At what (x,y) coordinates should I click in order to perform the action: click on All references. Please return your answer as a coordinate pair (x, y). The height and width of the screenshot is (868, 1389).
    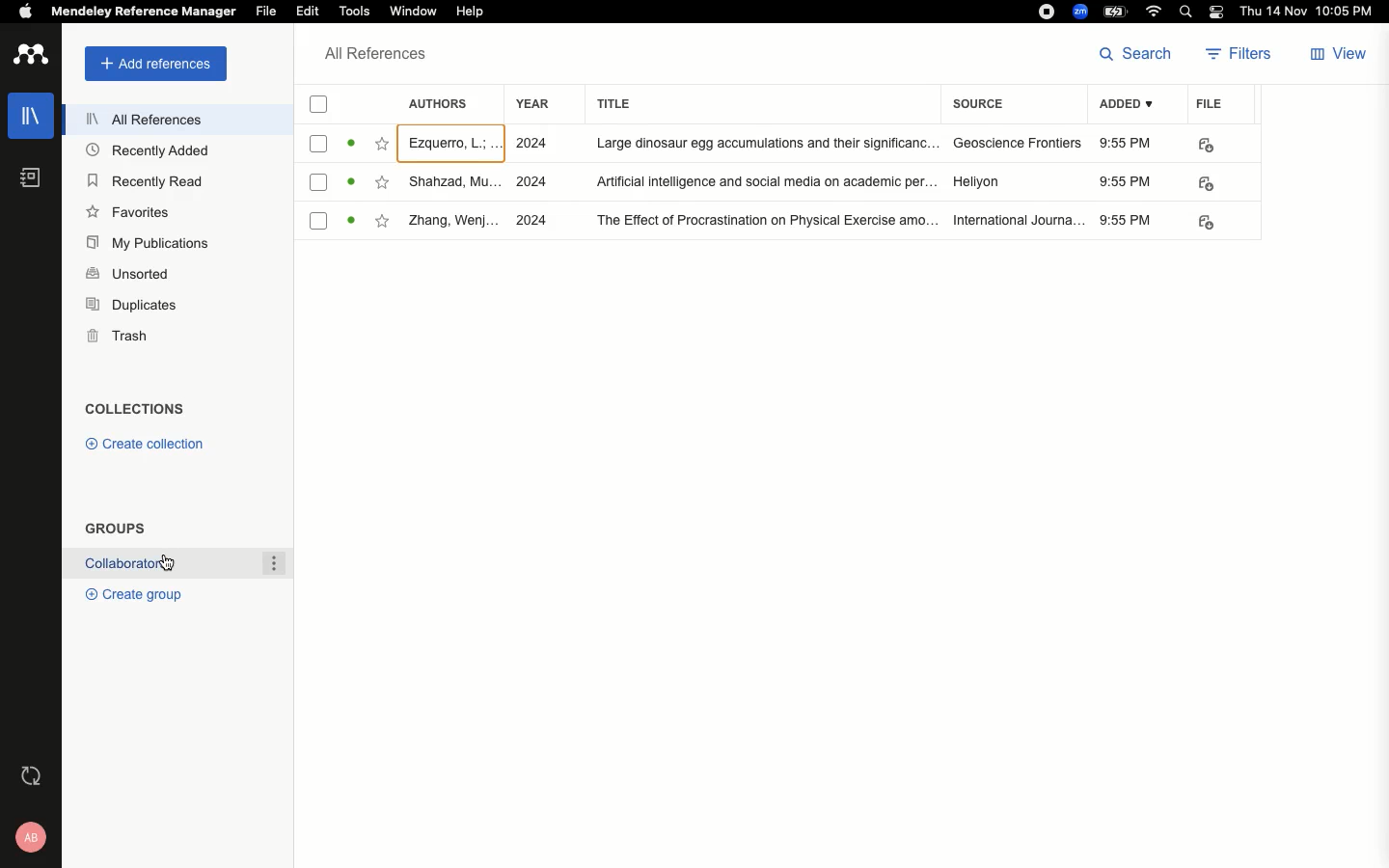
    Looking at the image, I should click on (381, 55).